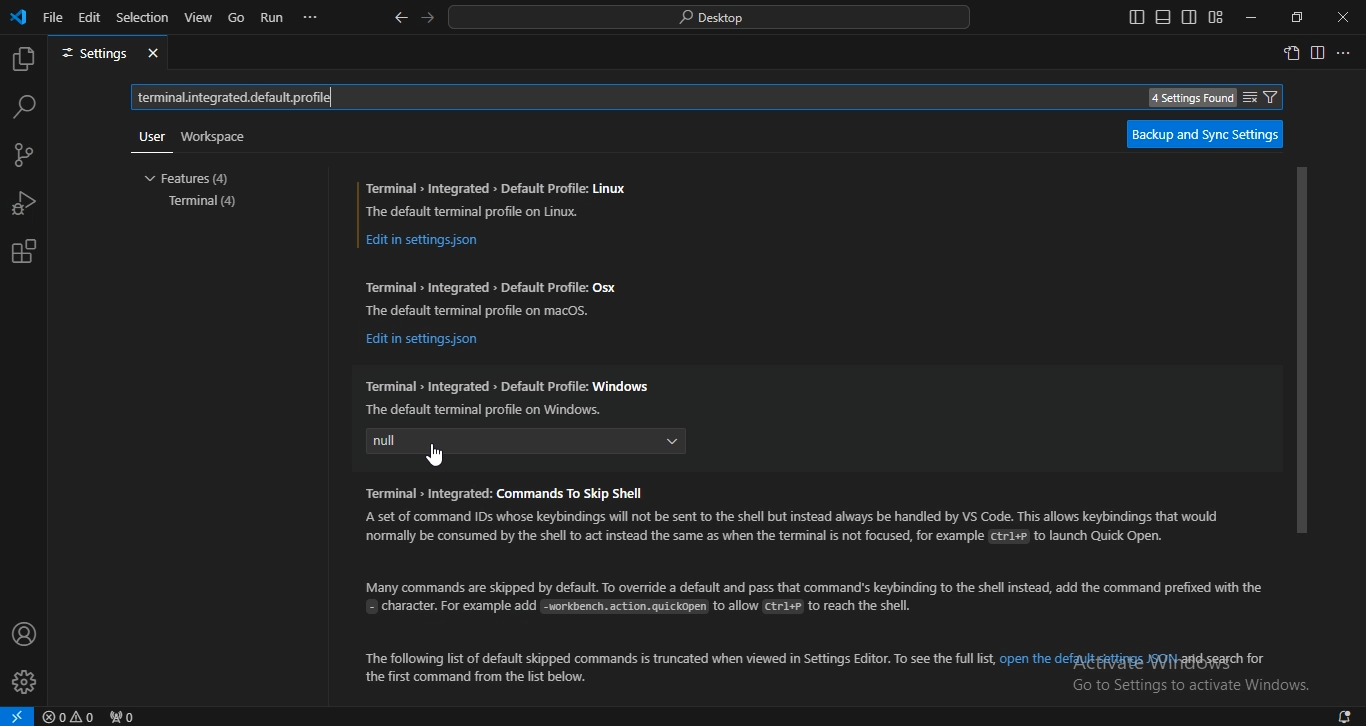 The height and width of the screenshot is (726, 1366). Describe the element at coordinates (144, 16) in the screenshot. I see `selection` at that location.